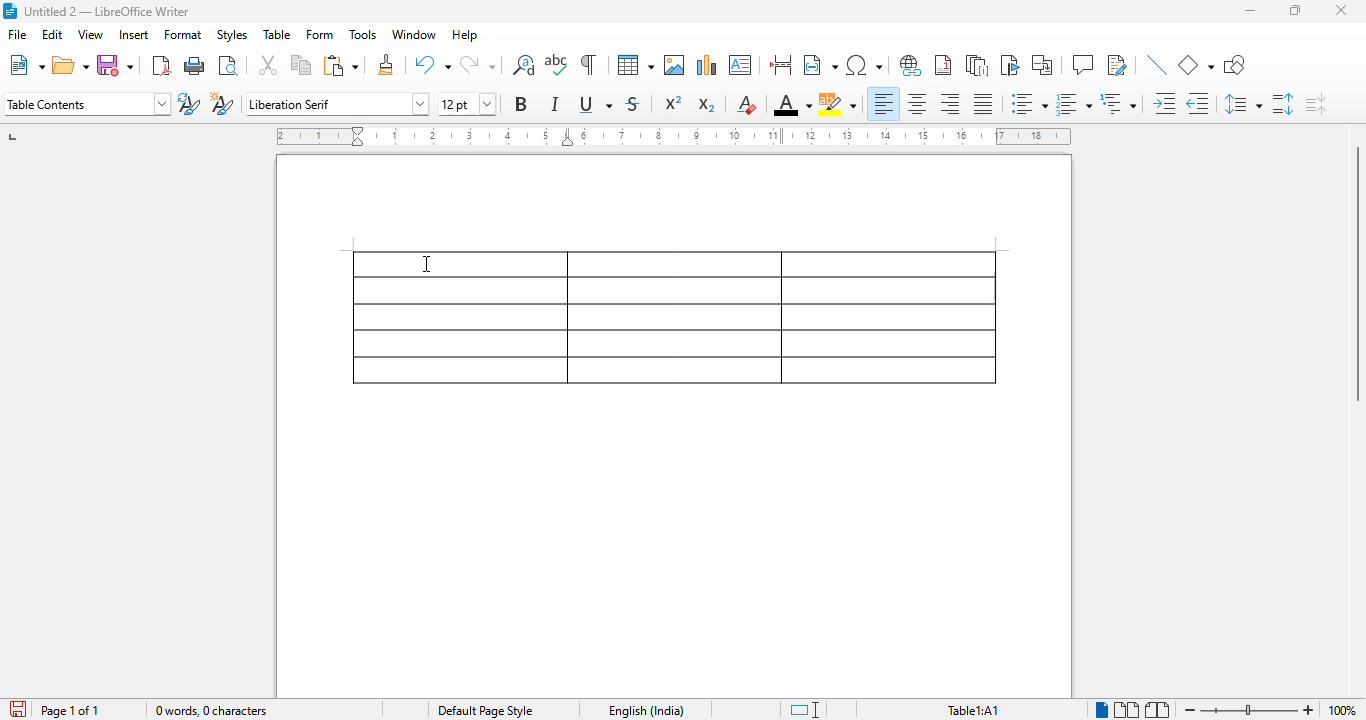 Image resolution: width=1366 pixels, height=720 pixels. I want to click on character highlighting color, so click(837, 104).